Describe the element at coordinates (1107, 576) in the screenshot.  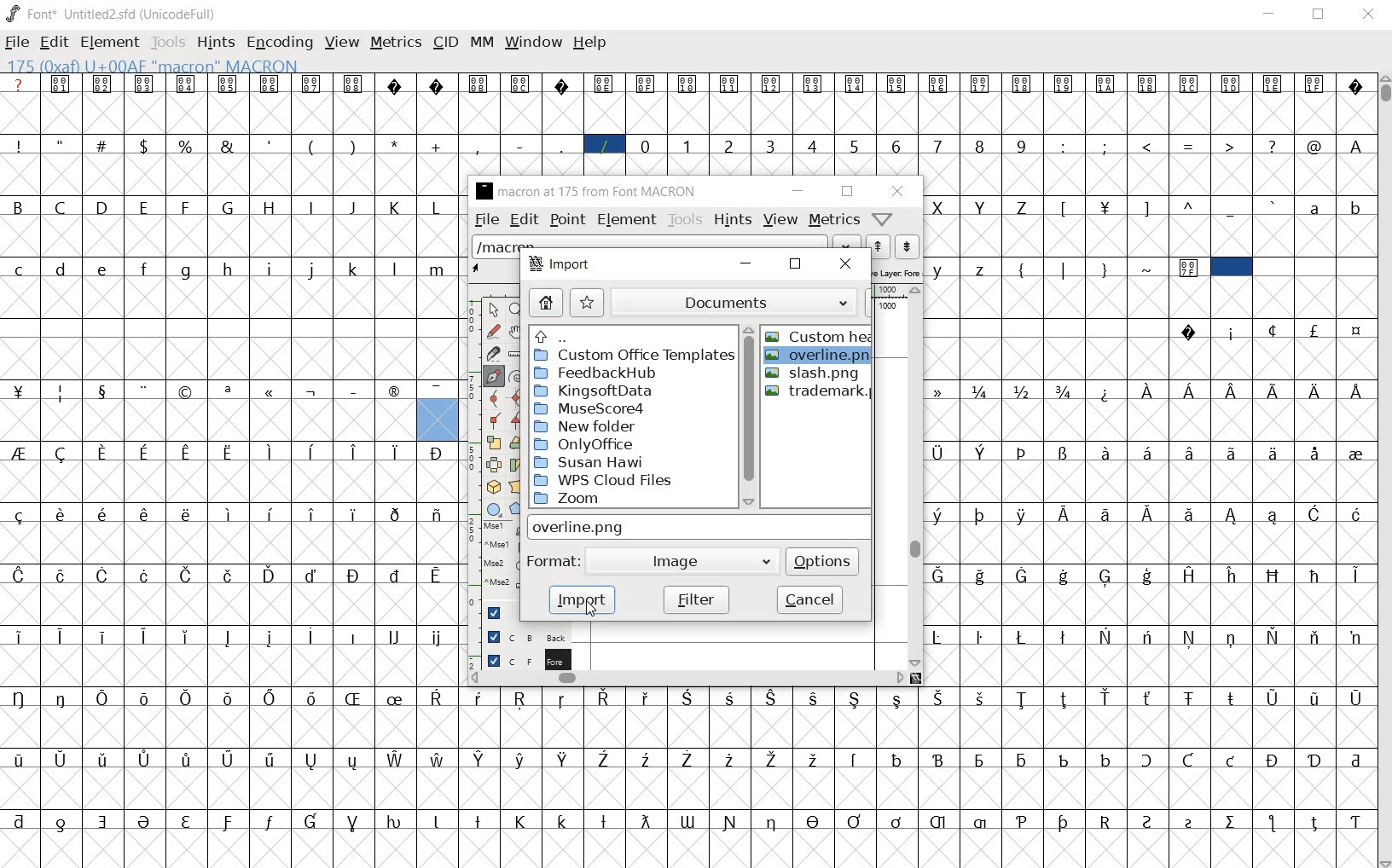
I see `Symbol` at that location.